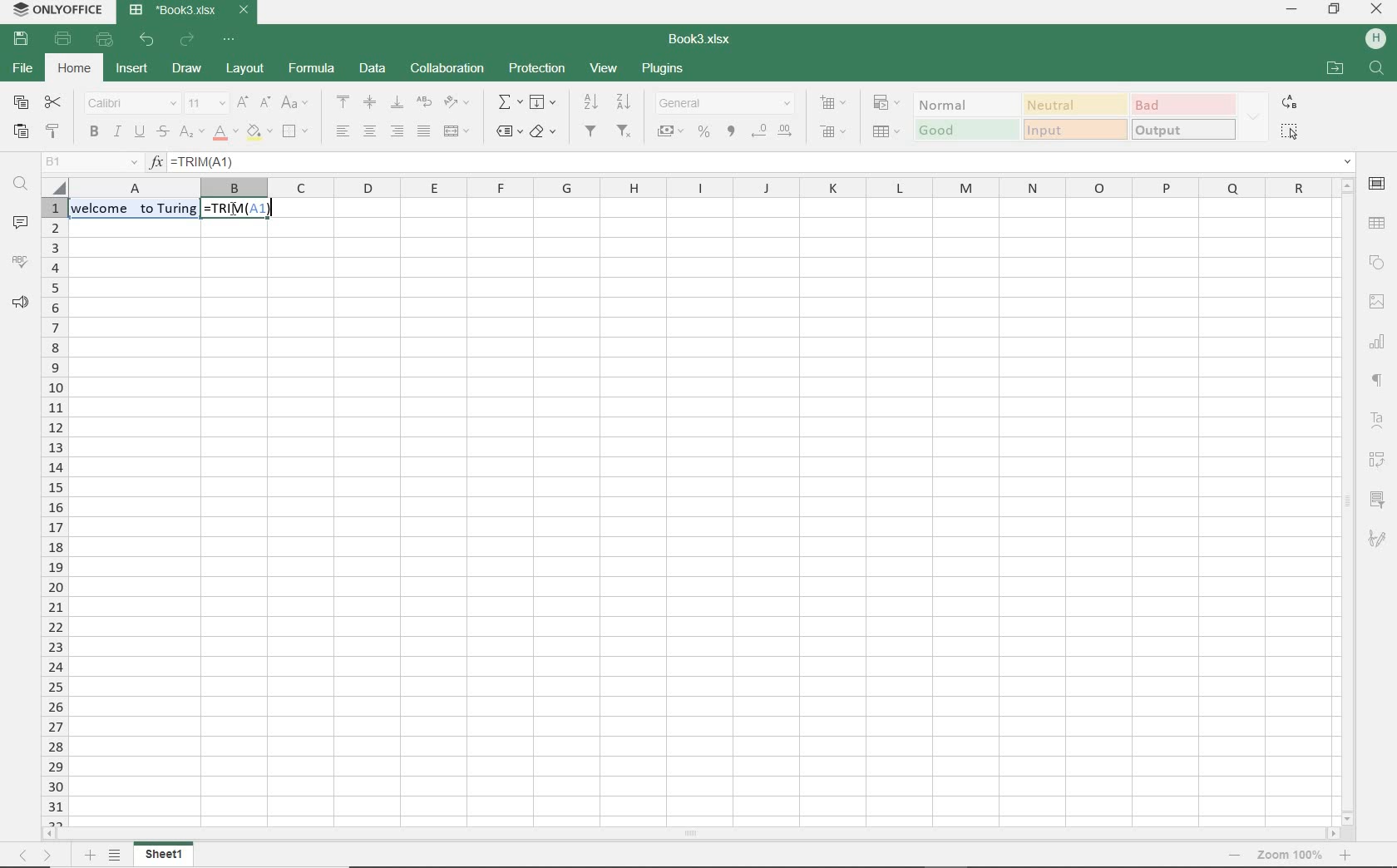 The width and height of the screenshot is (1397, 868). Describe the element at coordinates (624, 101) in the screenshot. I see `sort descending` at that location.